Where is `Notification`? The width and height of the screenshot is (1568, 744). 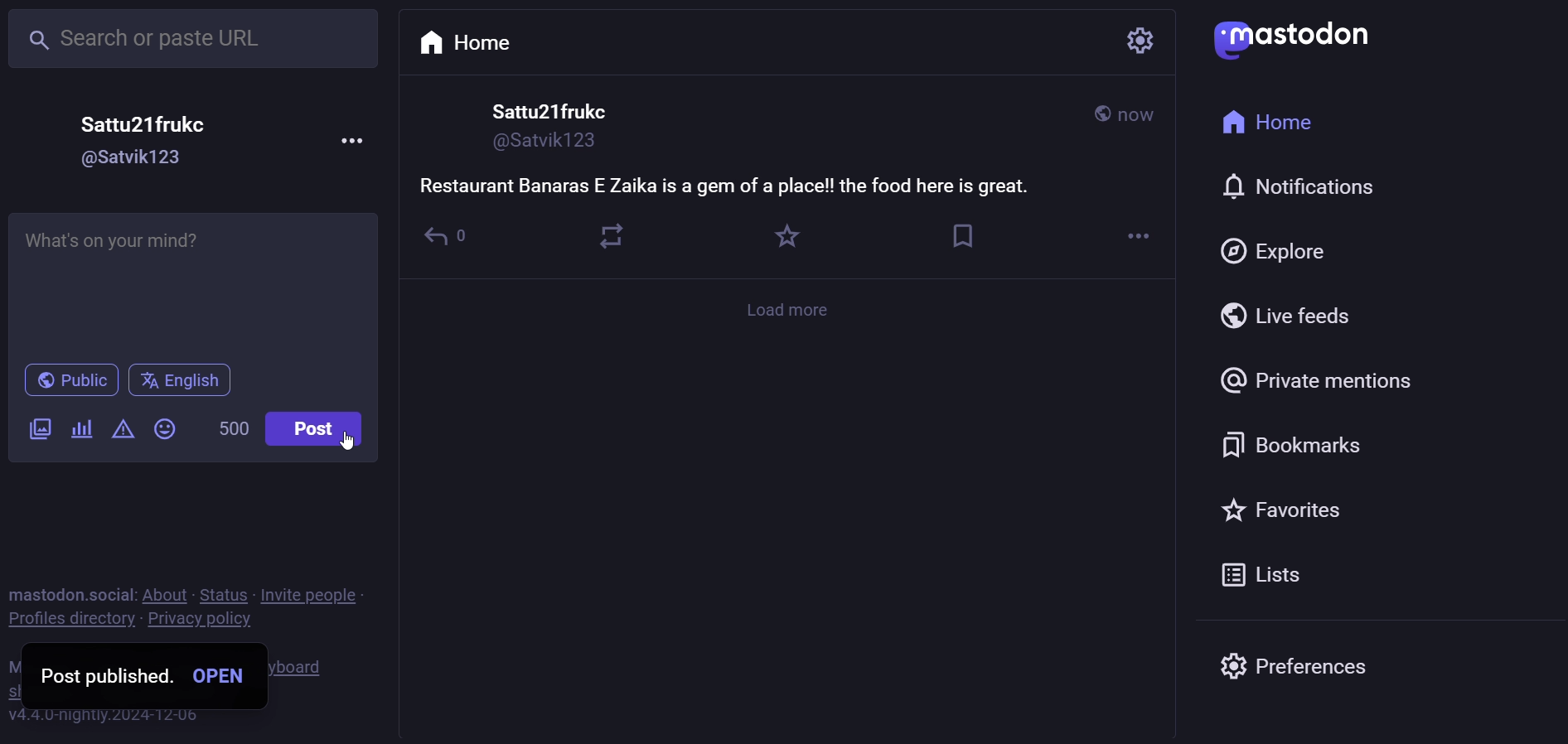
Notification is located at coordinates (1295, 186).